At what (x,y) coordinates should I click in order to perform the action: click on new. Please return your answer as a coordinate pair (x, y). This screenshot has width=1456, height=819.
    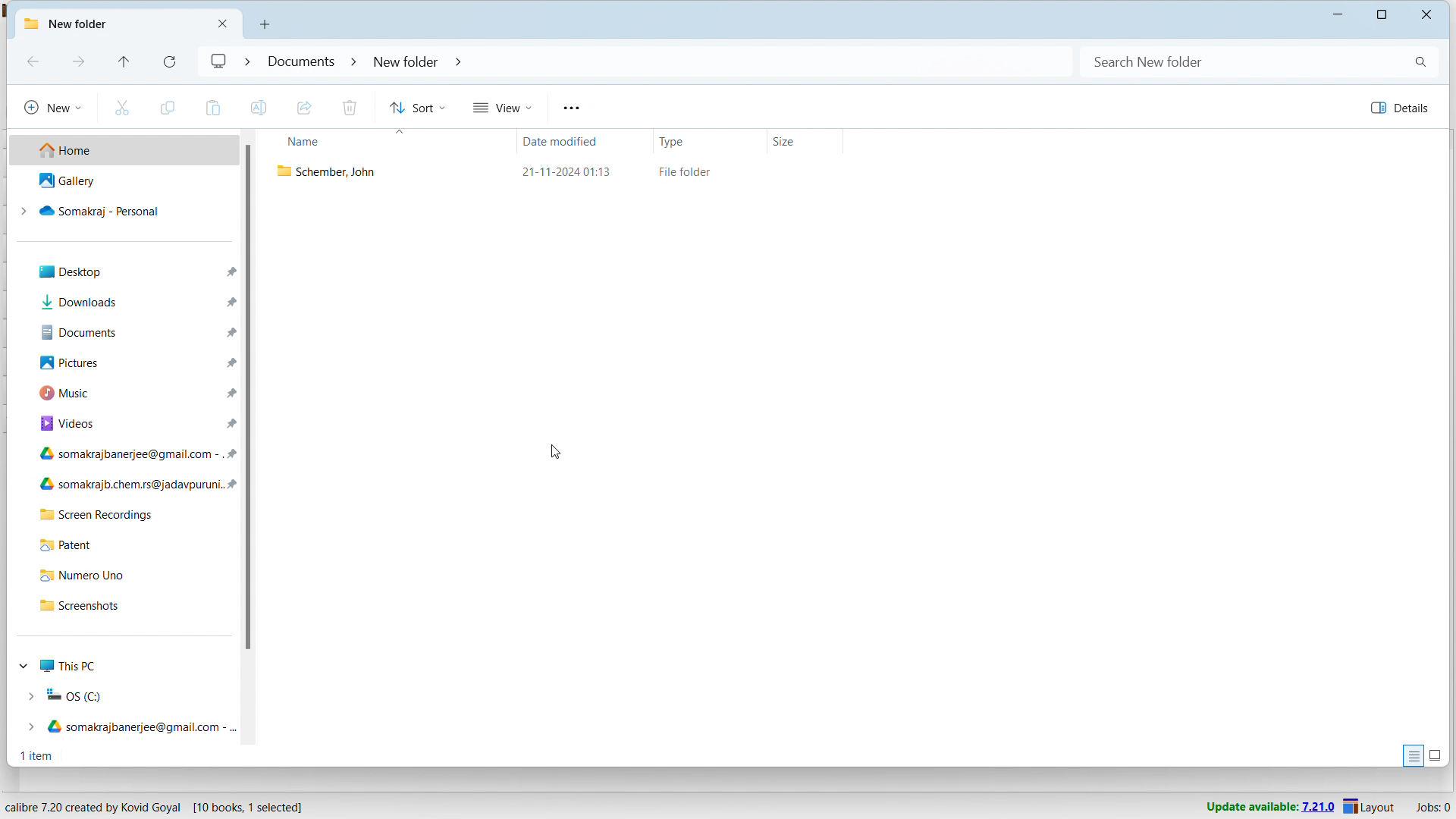
    Looking at the image, I should click on (53, 106).